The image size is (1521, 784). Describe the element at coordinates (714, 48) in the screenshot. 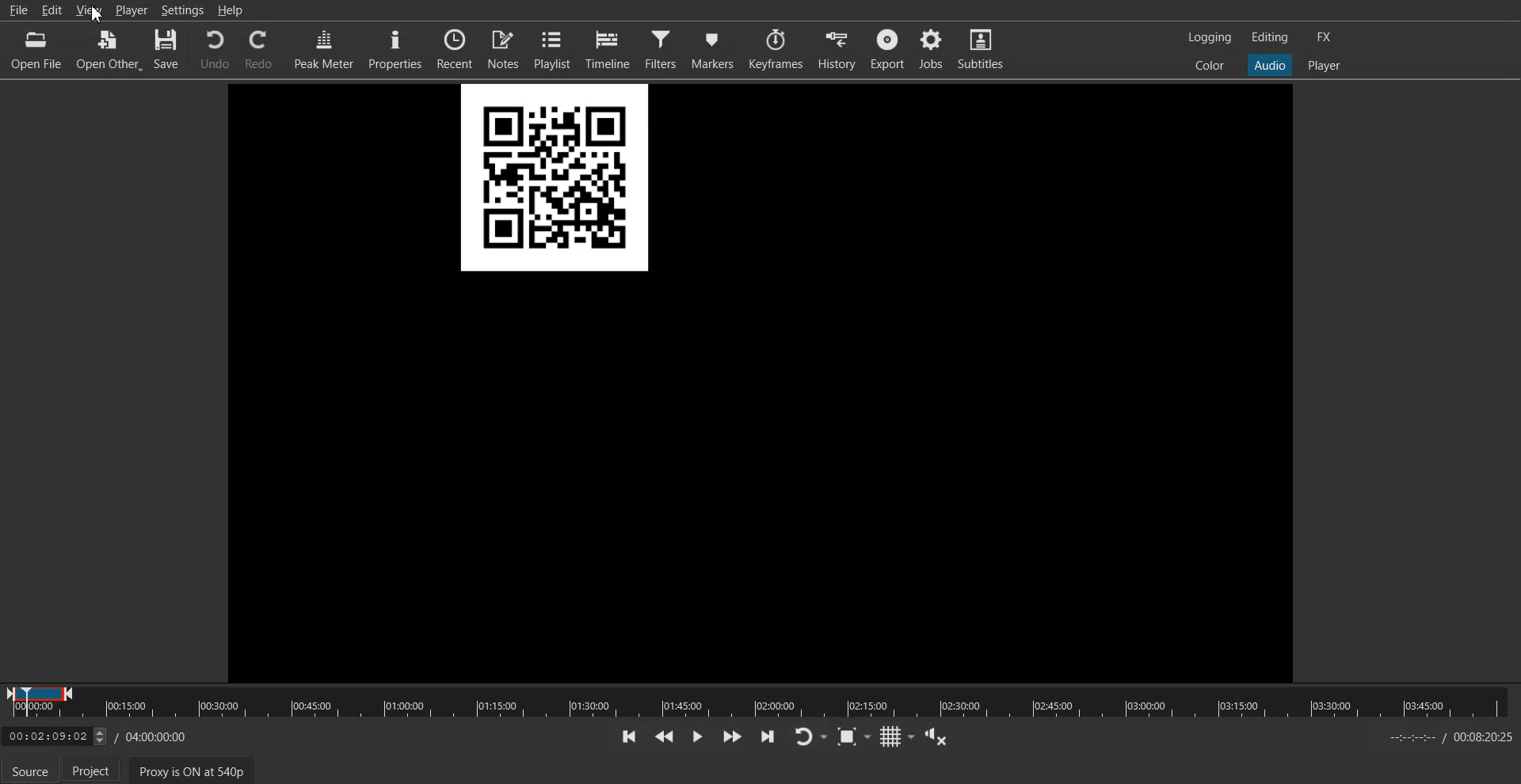

I see `Markers` at that location.